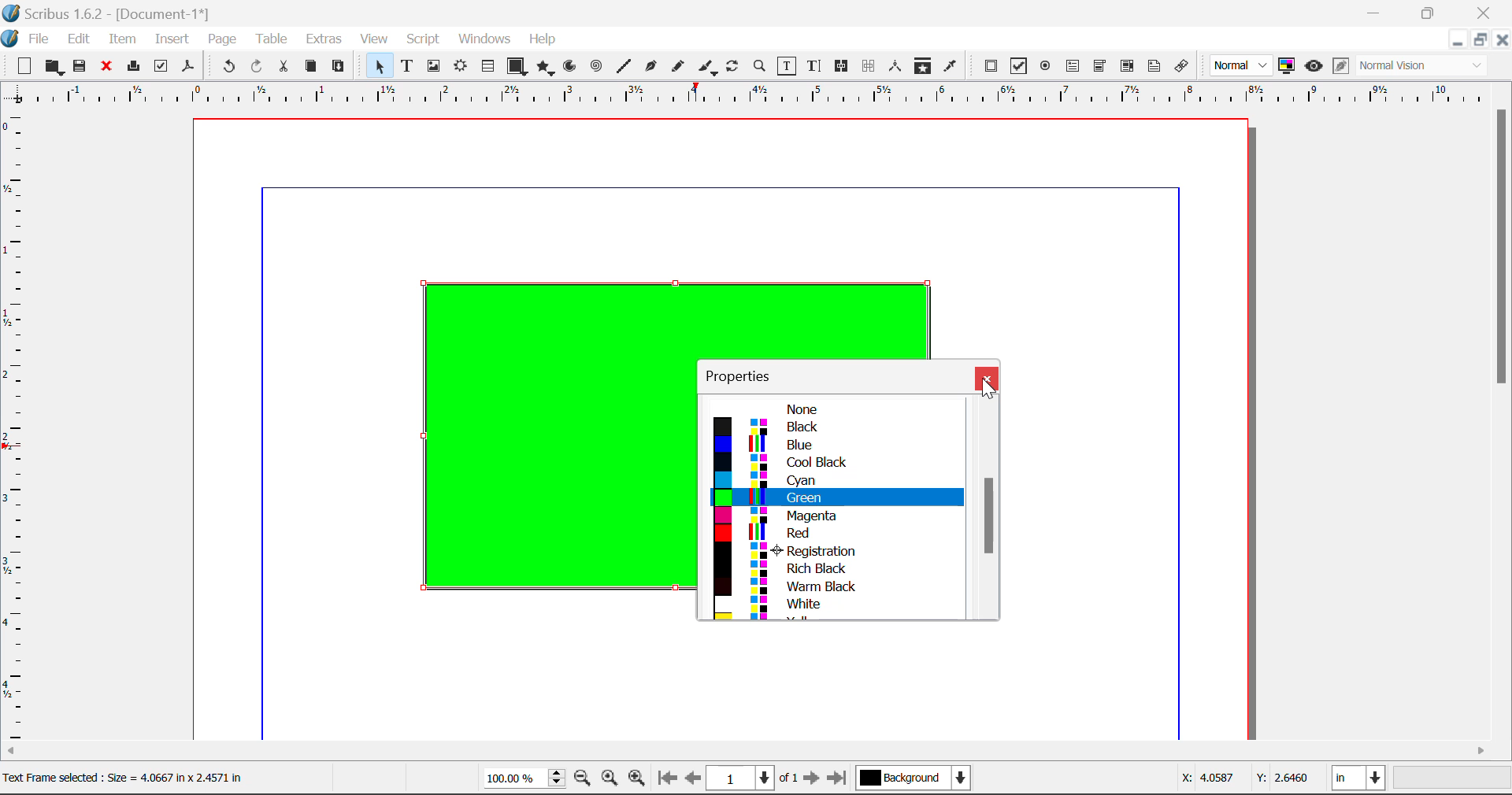 The width and height of the screenshot is (1512, 795). Describe the element at coordinates (1503, 420) in the screenshot. I see `Scroll Bar` at that location.